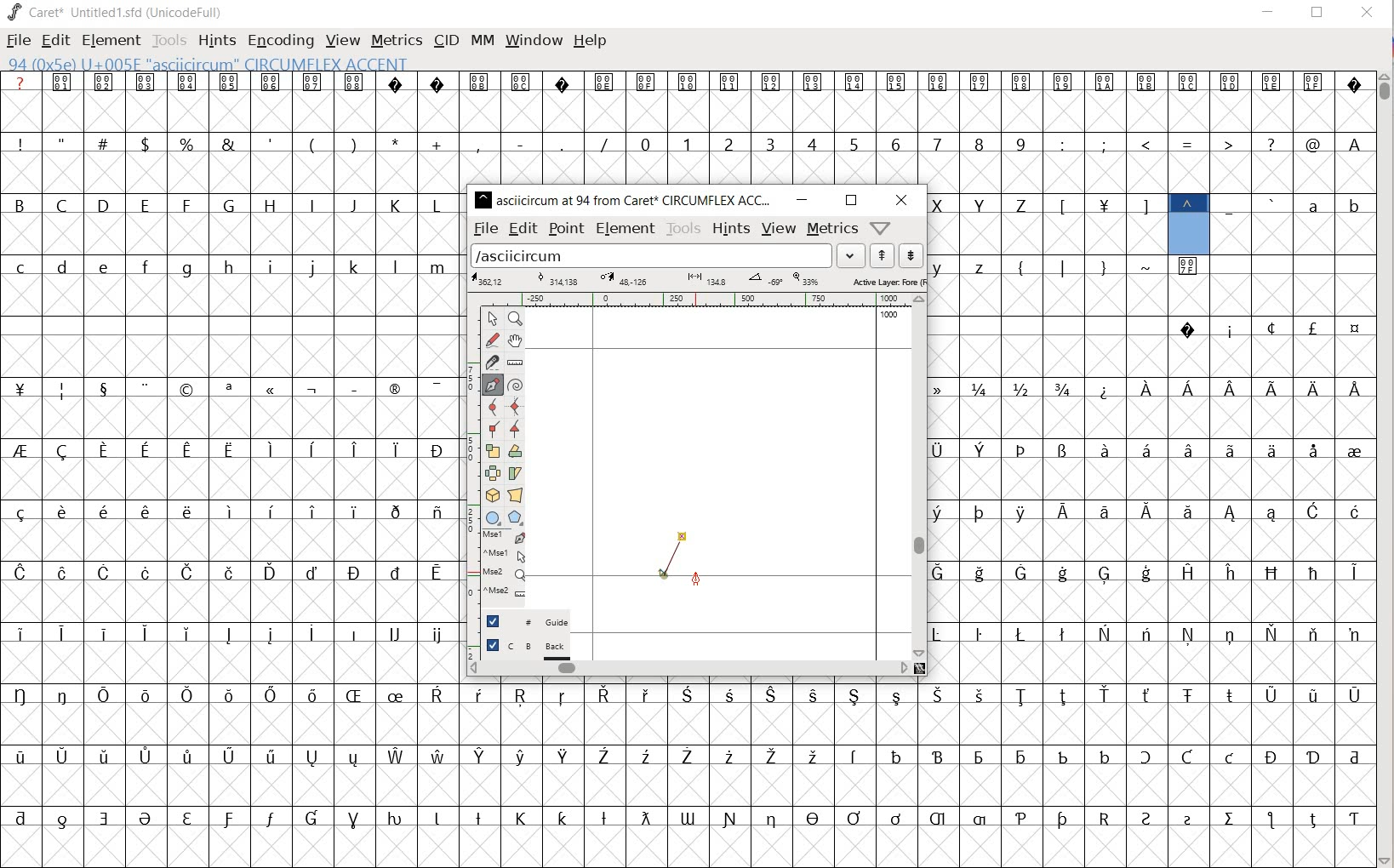 The image size is (1394, 868). Describe the element at coordinates (57, 41) in the screenshot. I see `EDIT` at that location.